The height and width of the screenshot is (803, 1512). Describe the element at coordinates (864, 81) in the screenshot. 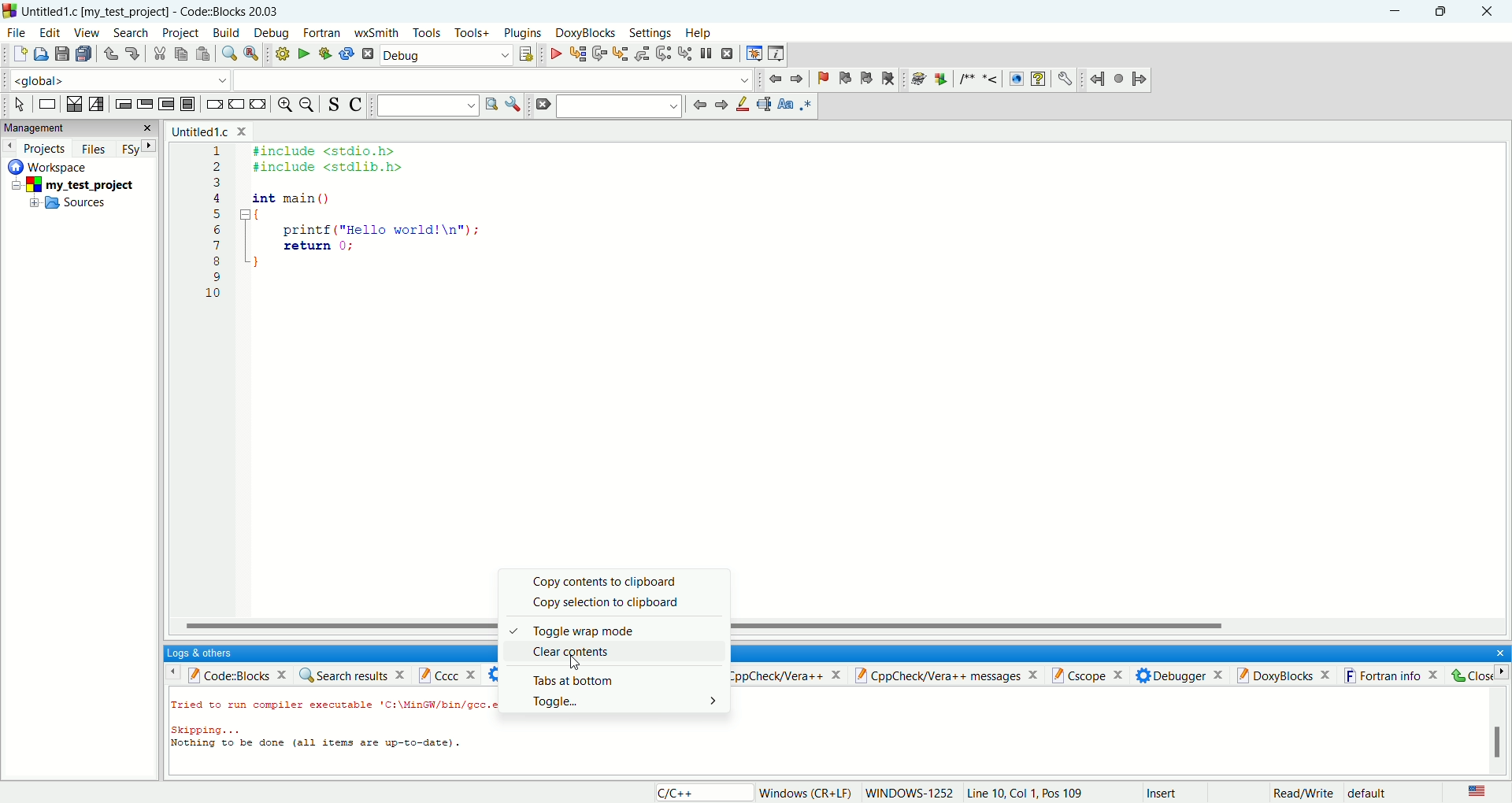

I see `next bookmark` at that location.